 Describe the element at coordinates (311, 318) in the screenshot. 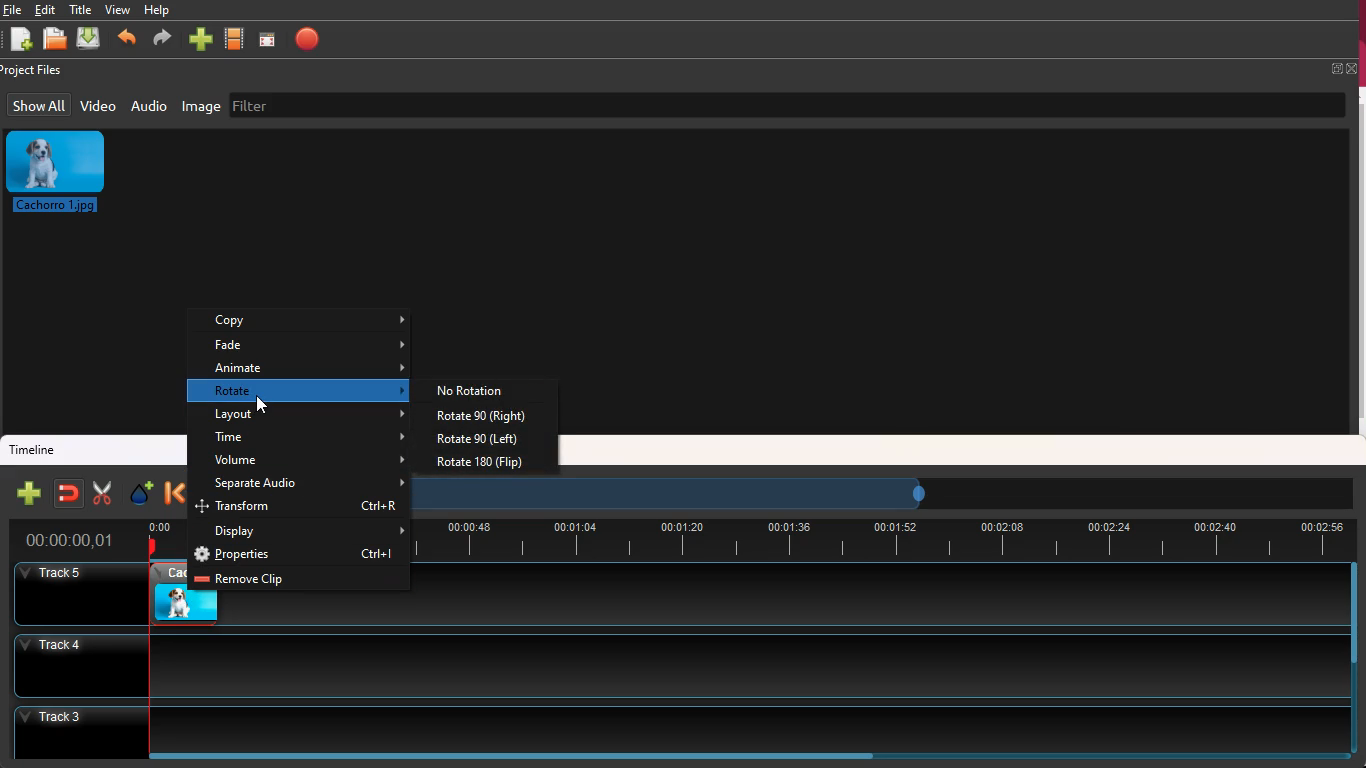

I see `copy` at that location.